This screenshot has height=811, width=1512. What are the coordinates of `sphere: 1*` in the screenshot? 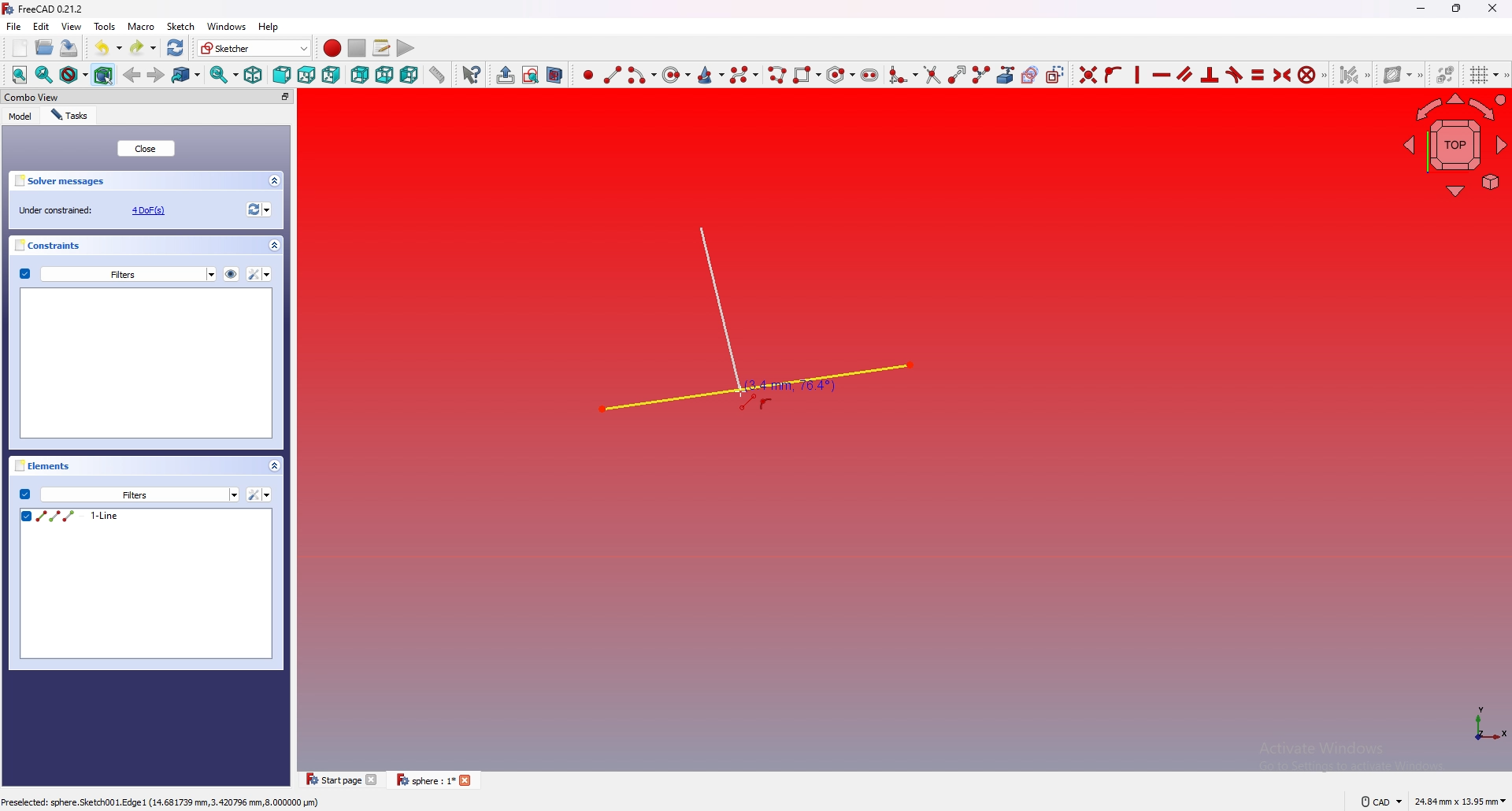 It's located at (437, 780).